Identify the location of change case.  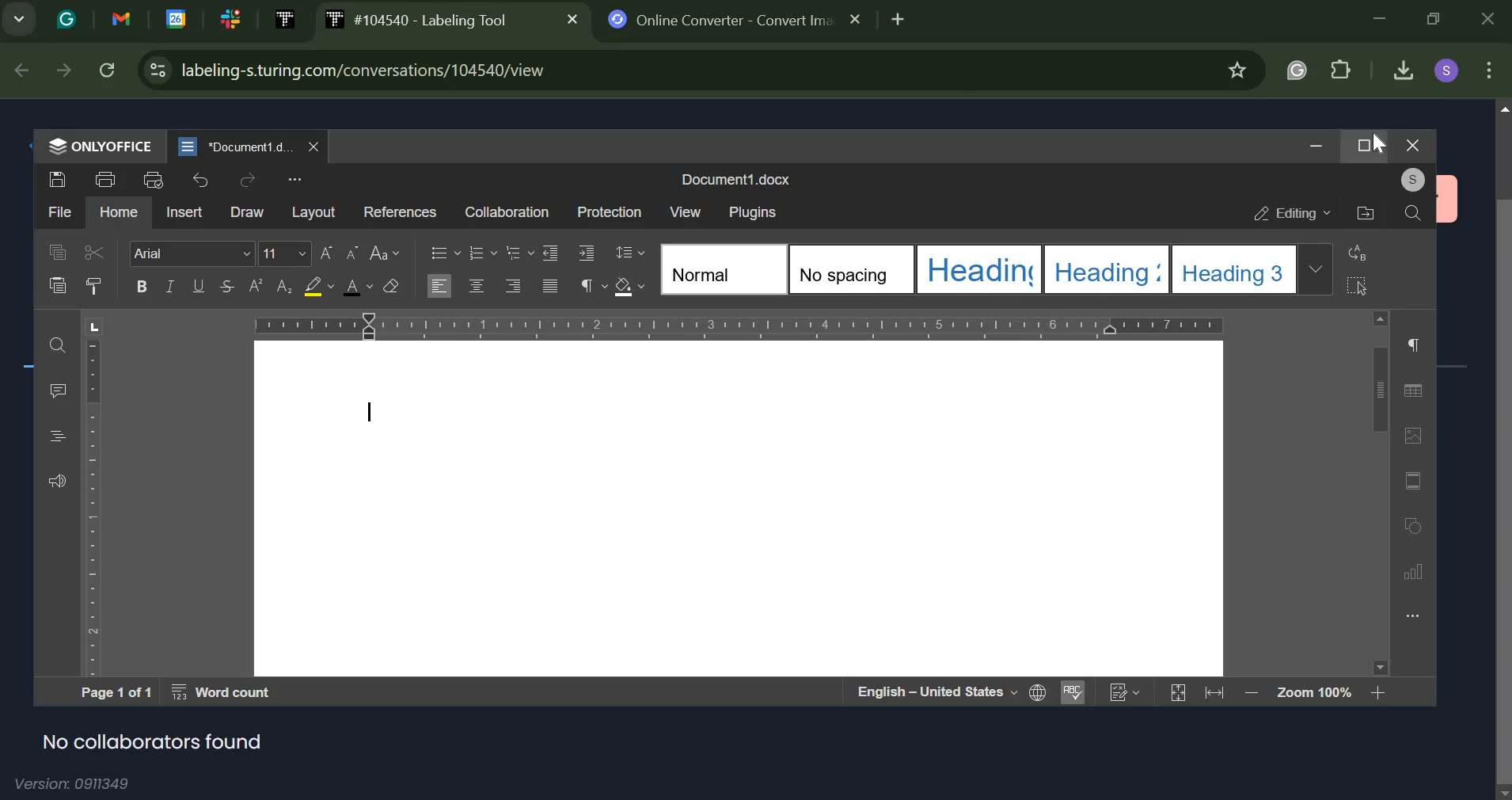
(384, 252).